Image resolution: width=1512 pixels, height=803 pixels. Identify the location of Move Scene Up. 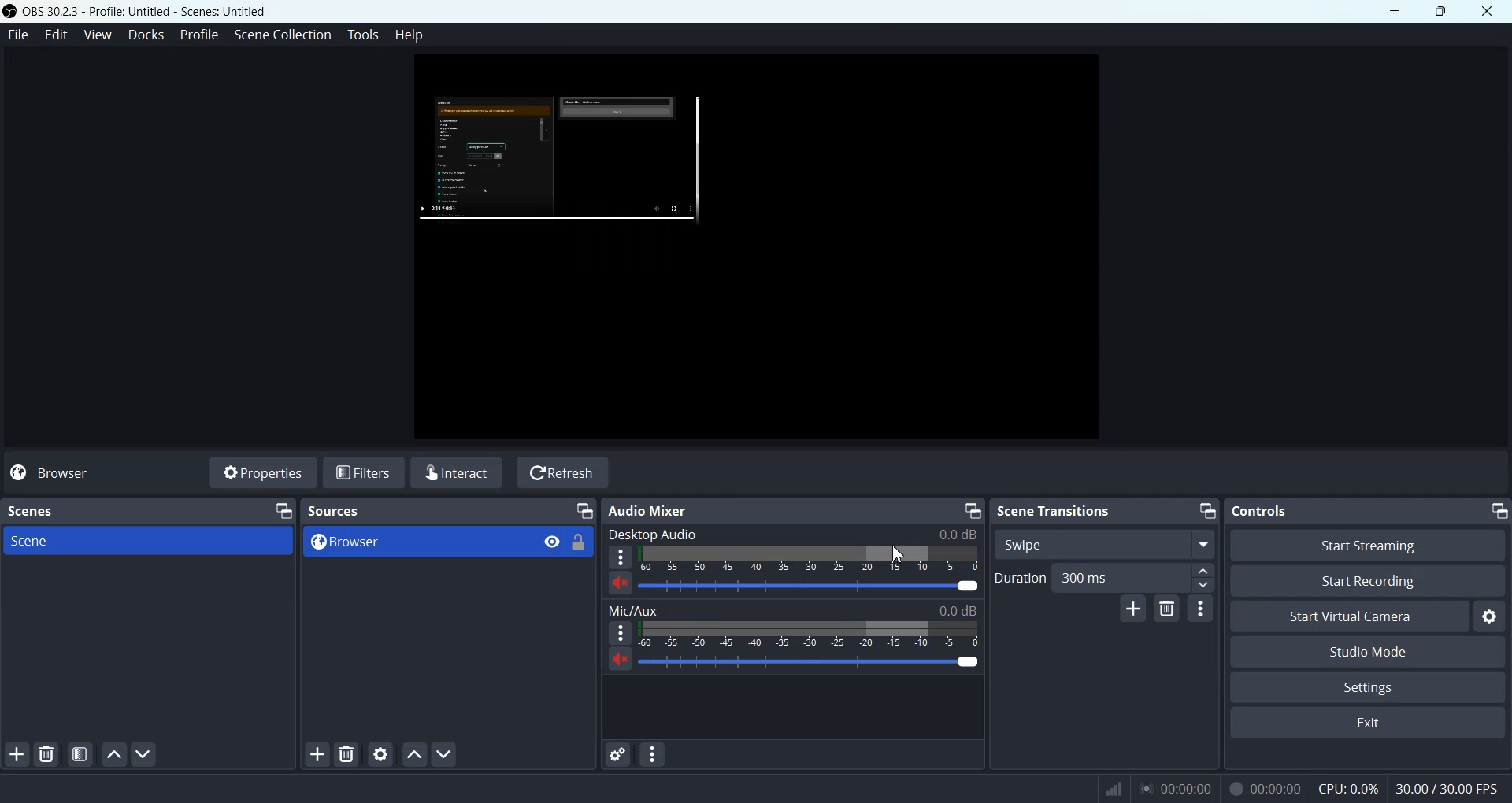
(415, 753).